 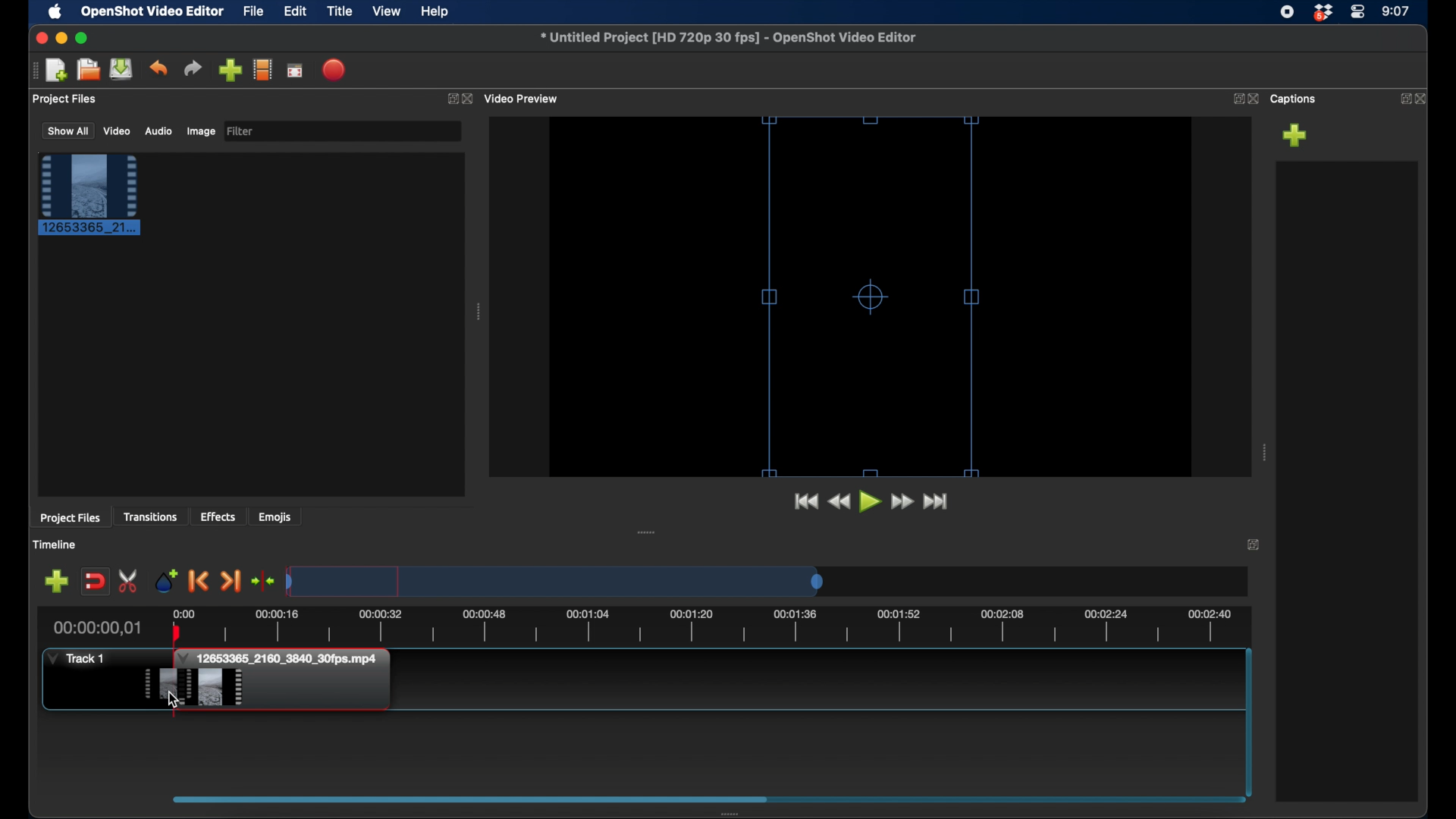 I want to click on previous marker, so click(x=199, y=582).